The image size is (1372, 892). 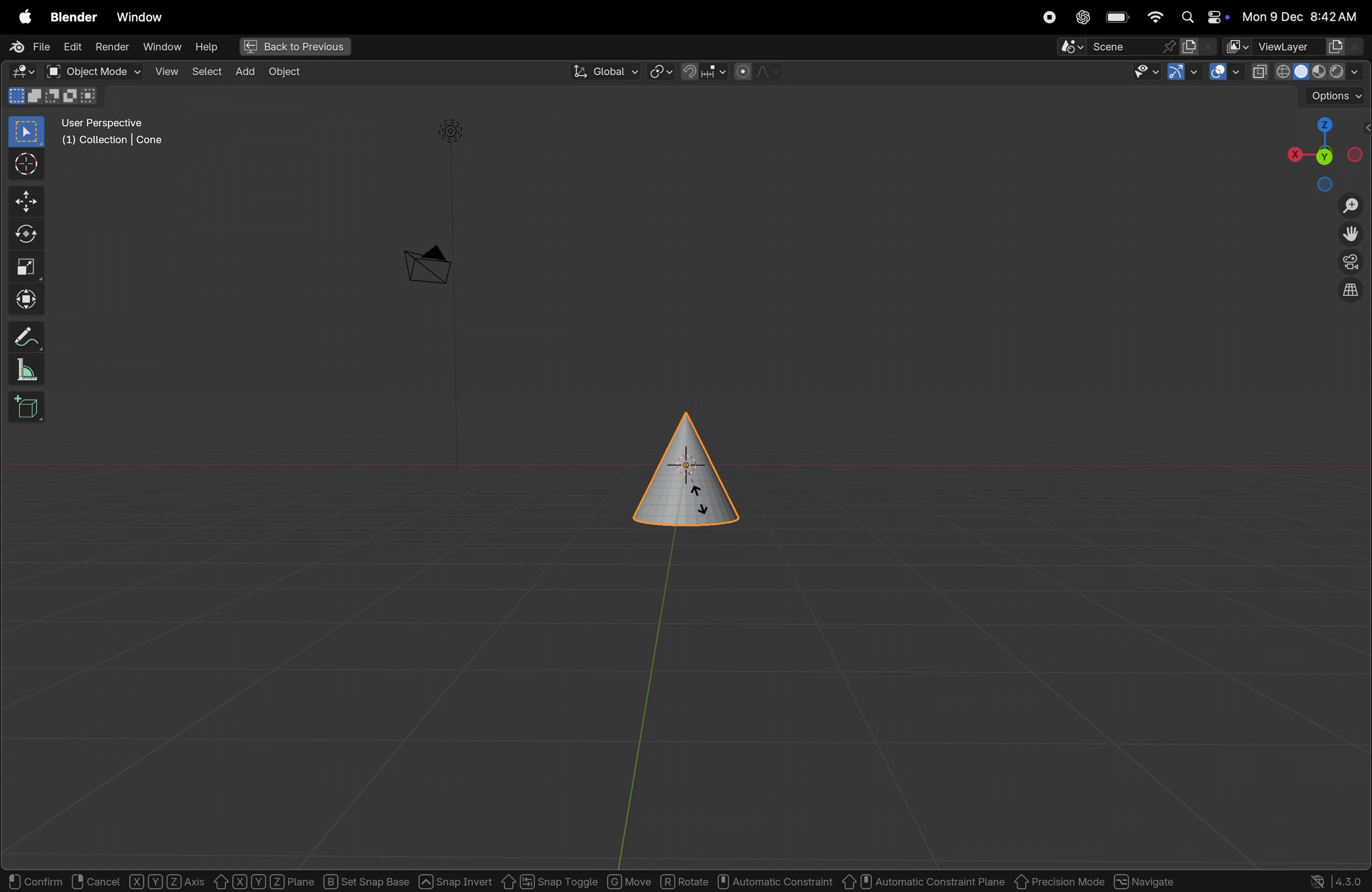 What do you see at coordinates (427, 265) in the screenshot?
I see `camera perspetive` at bounding box center [427, 265].